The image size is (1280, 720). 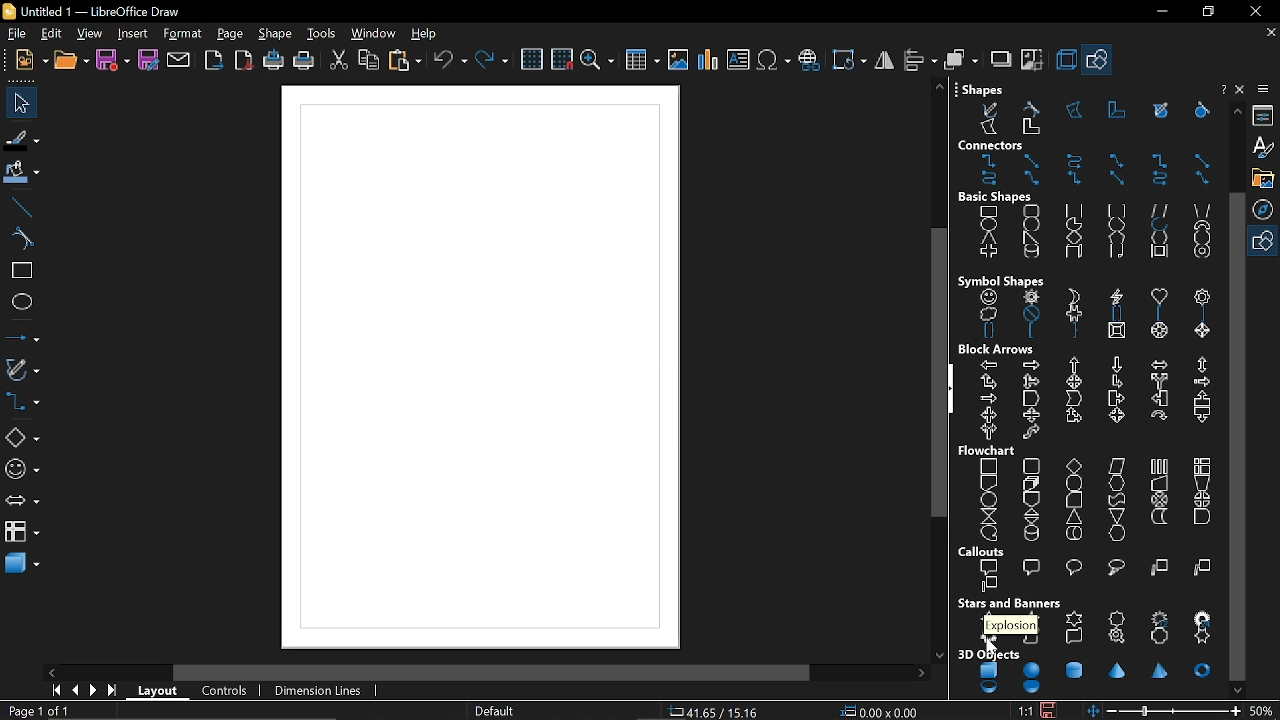 I want to click on Vertical scroll bar, so click(x=935, y=370).